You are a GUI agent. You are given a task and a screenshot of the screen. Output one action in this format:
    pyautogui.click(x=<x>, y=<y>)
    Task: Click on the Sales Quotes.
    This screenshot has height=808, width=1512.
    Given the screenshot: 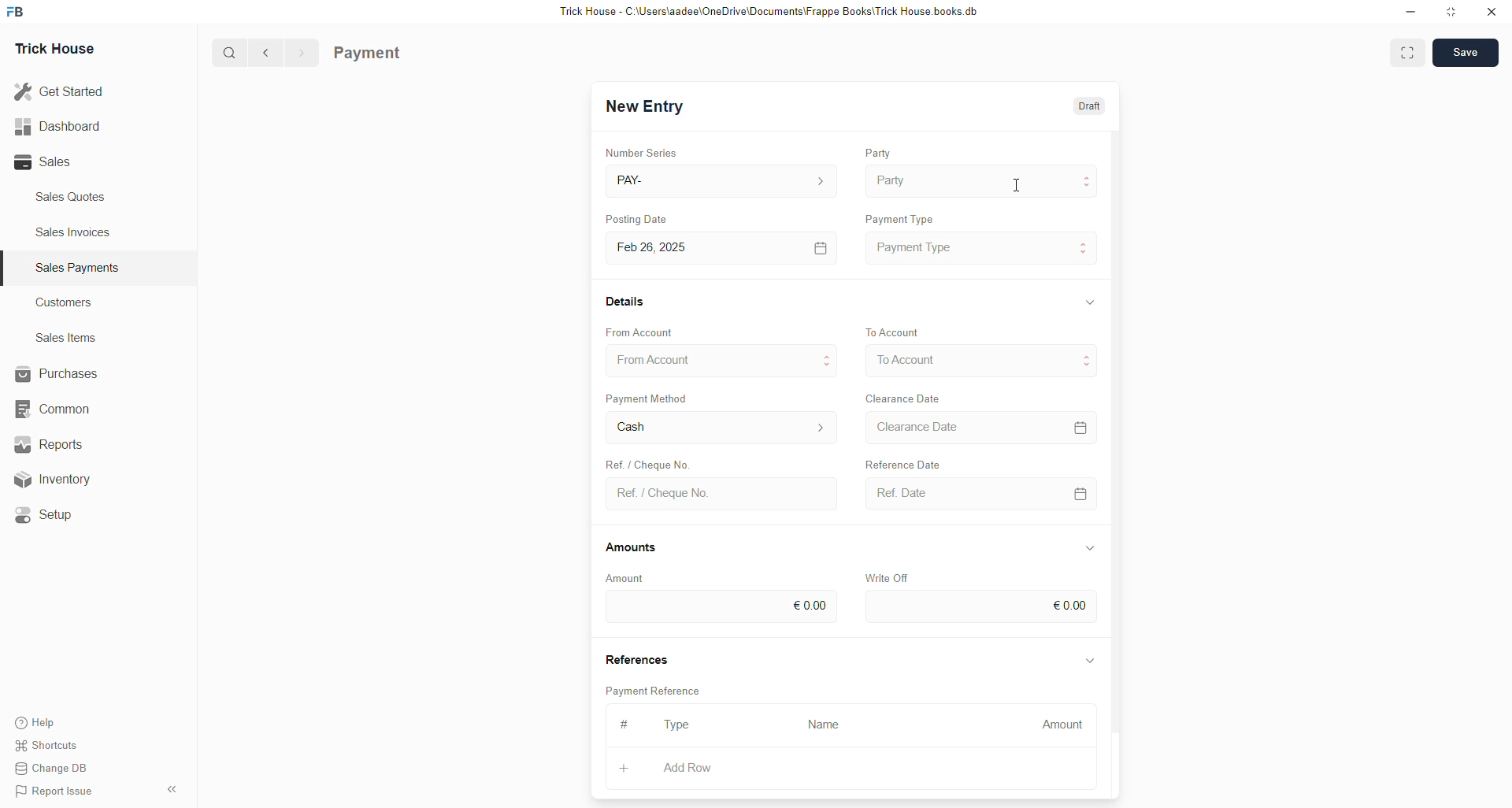 What is the action you would take?
    pyautogui.click(x=72, y=196)
    